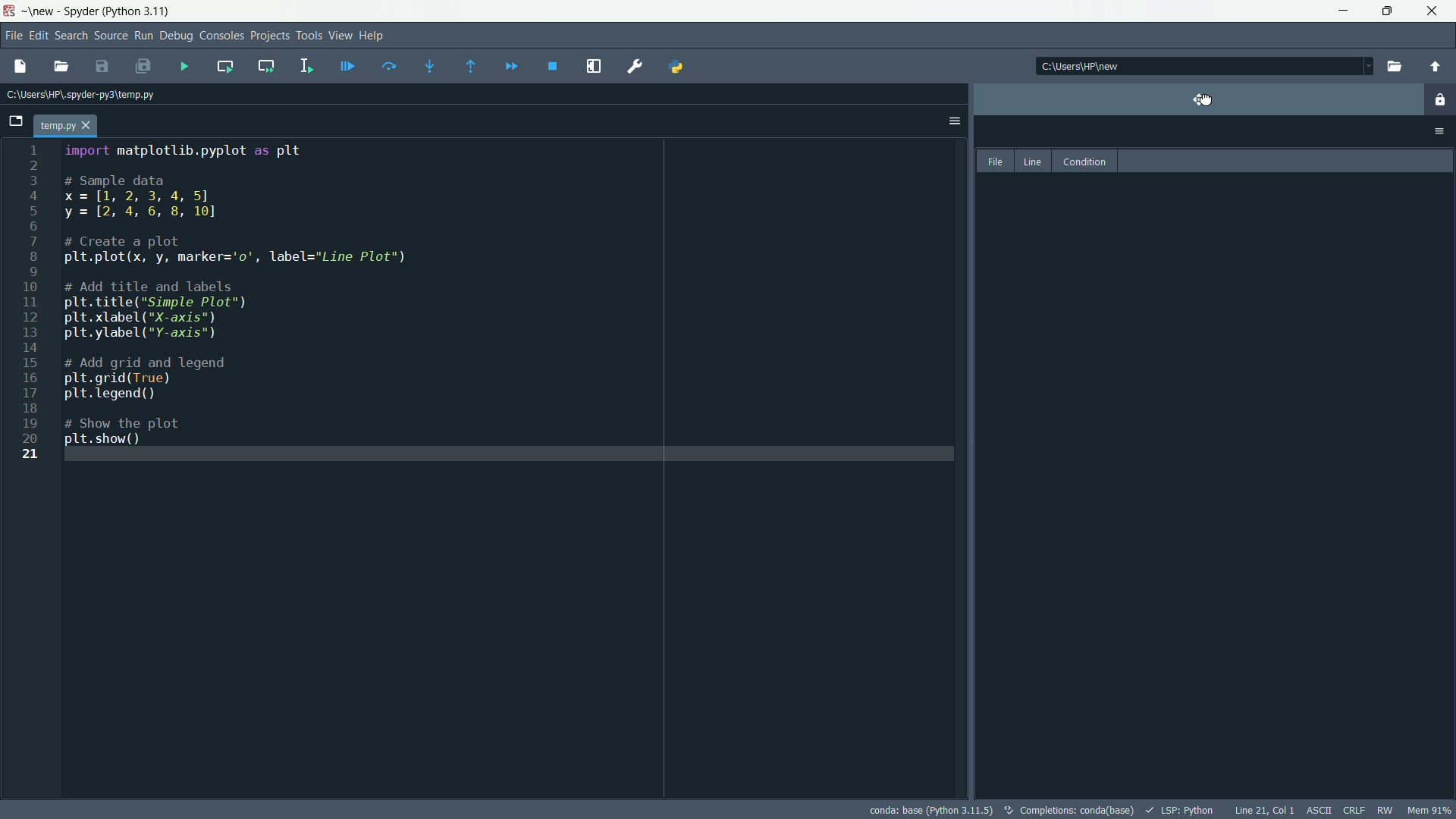  Describe the element at coordinates (1317, 811) in the screenshot. I see `ASCII` at that location.